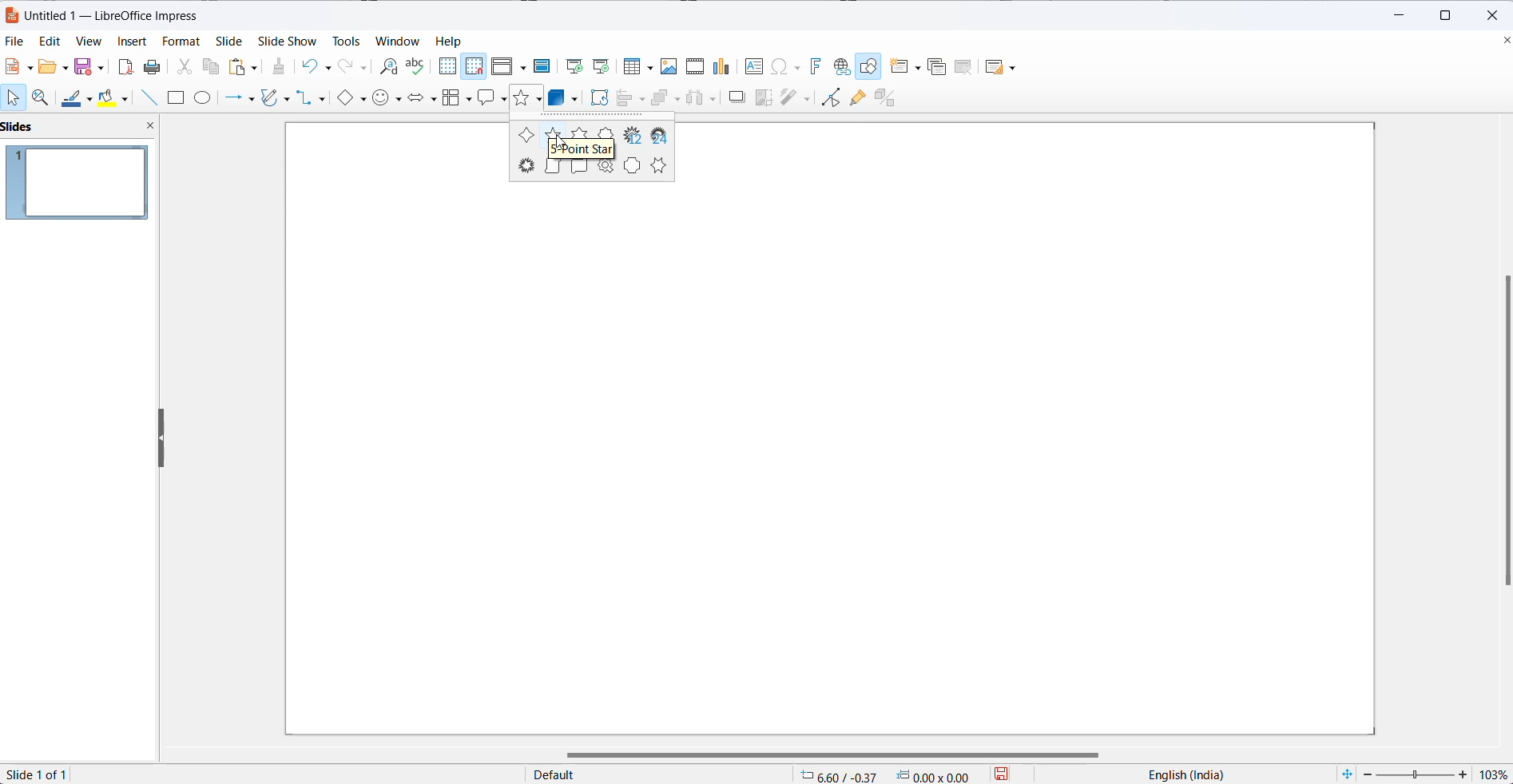  Describe the element at coordinates (755, 69) in the screenshot. I see `insert text` at that location.